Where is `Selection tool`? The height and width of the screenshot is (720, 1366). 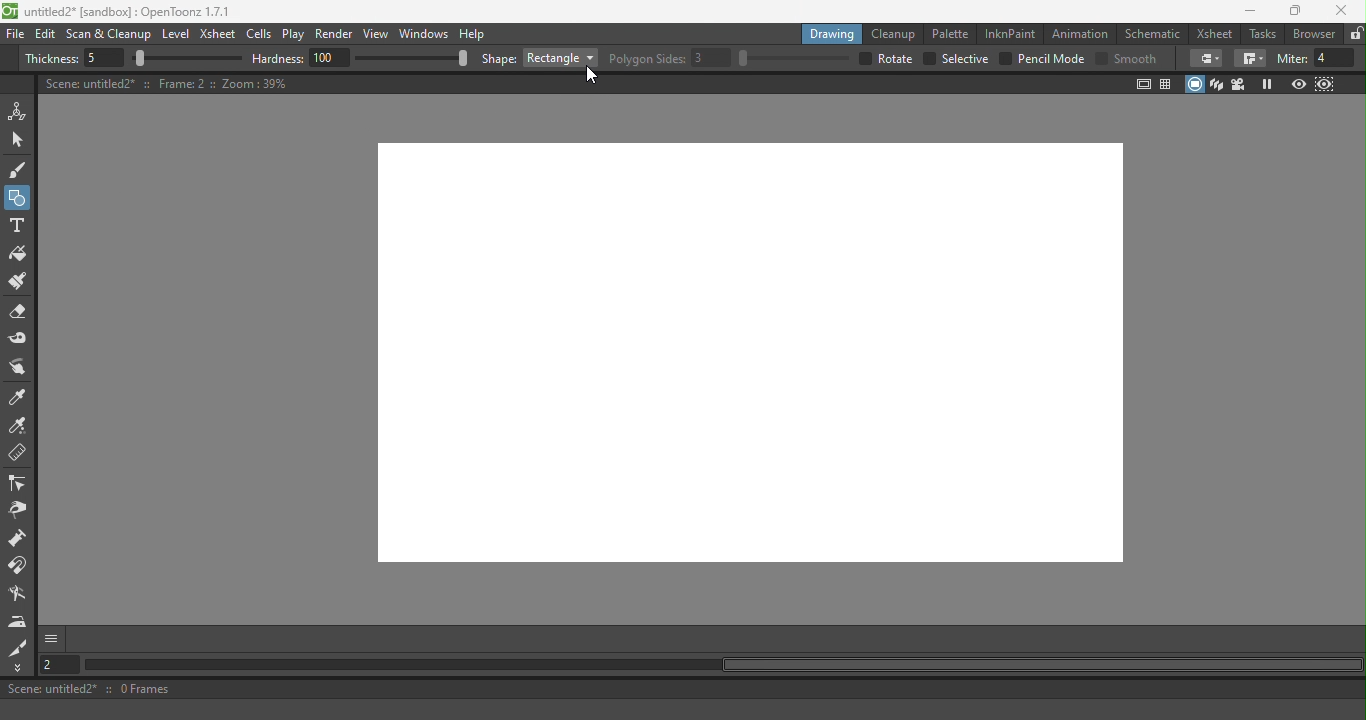
Selection tool is located at coordinates (20, 141).